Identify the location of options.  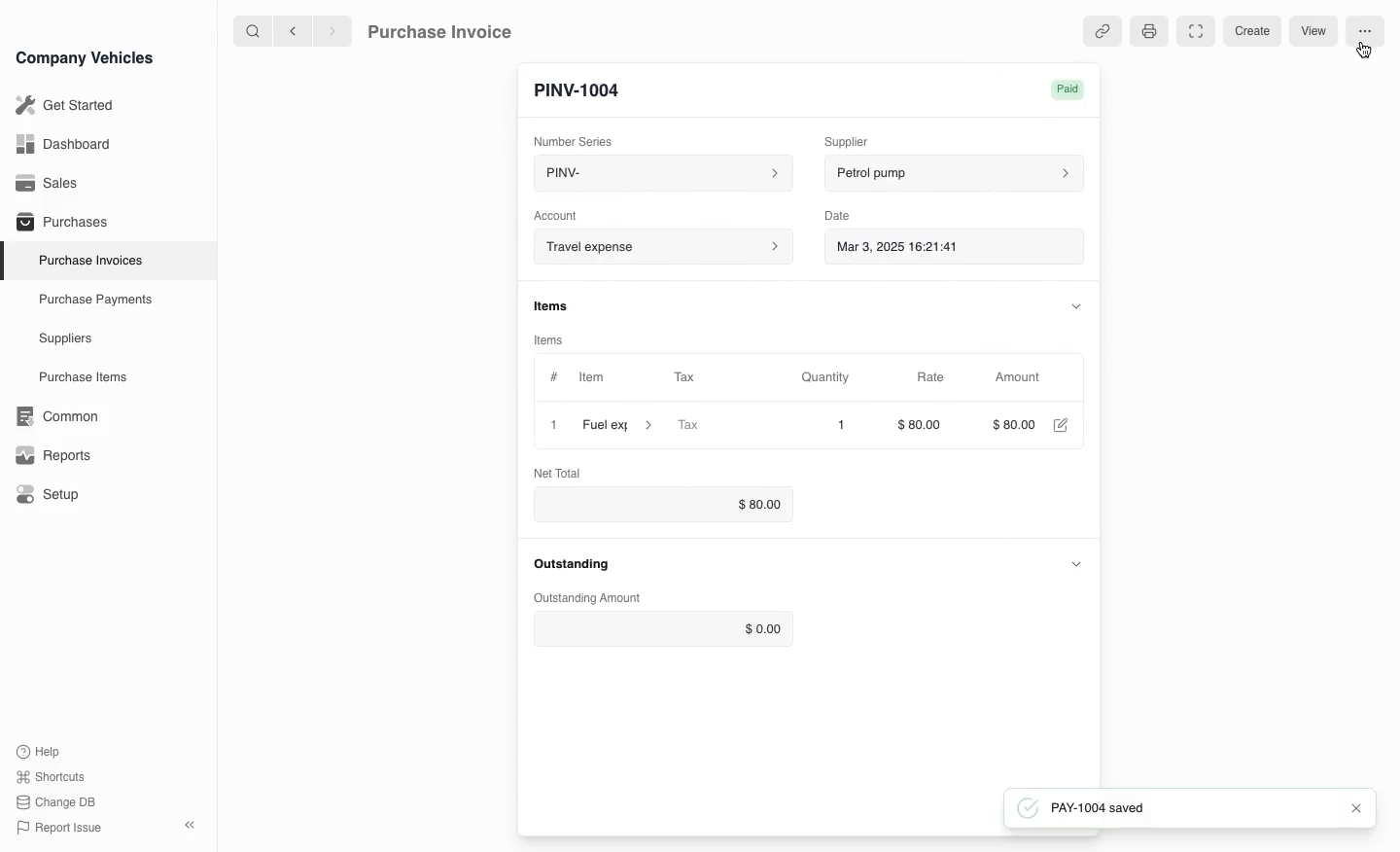
(1365, 30).